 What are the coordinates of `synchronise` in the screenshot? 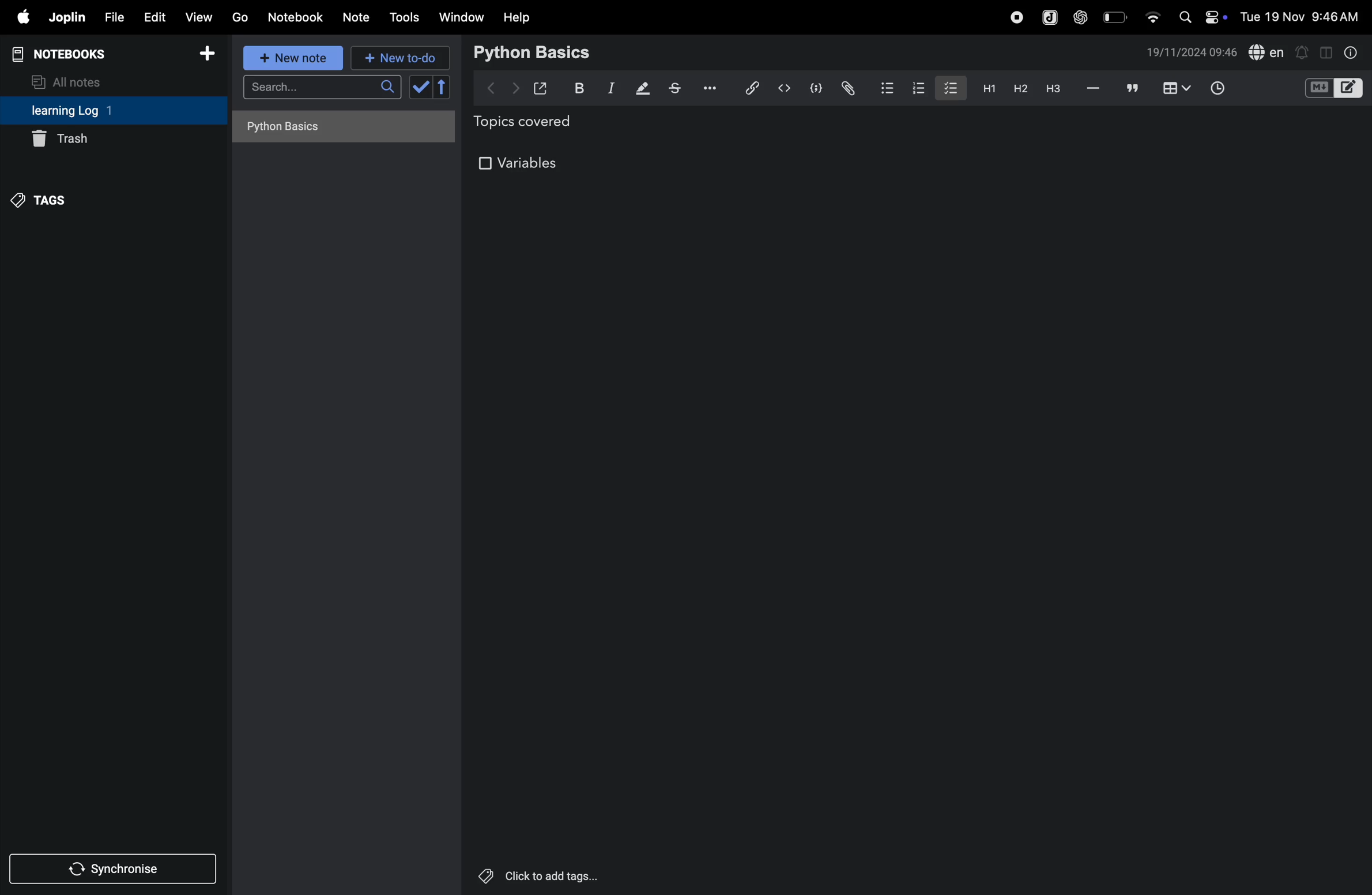 It's located at (115, 870).